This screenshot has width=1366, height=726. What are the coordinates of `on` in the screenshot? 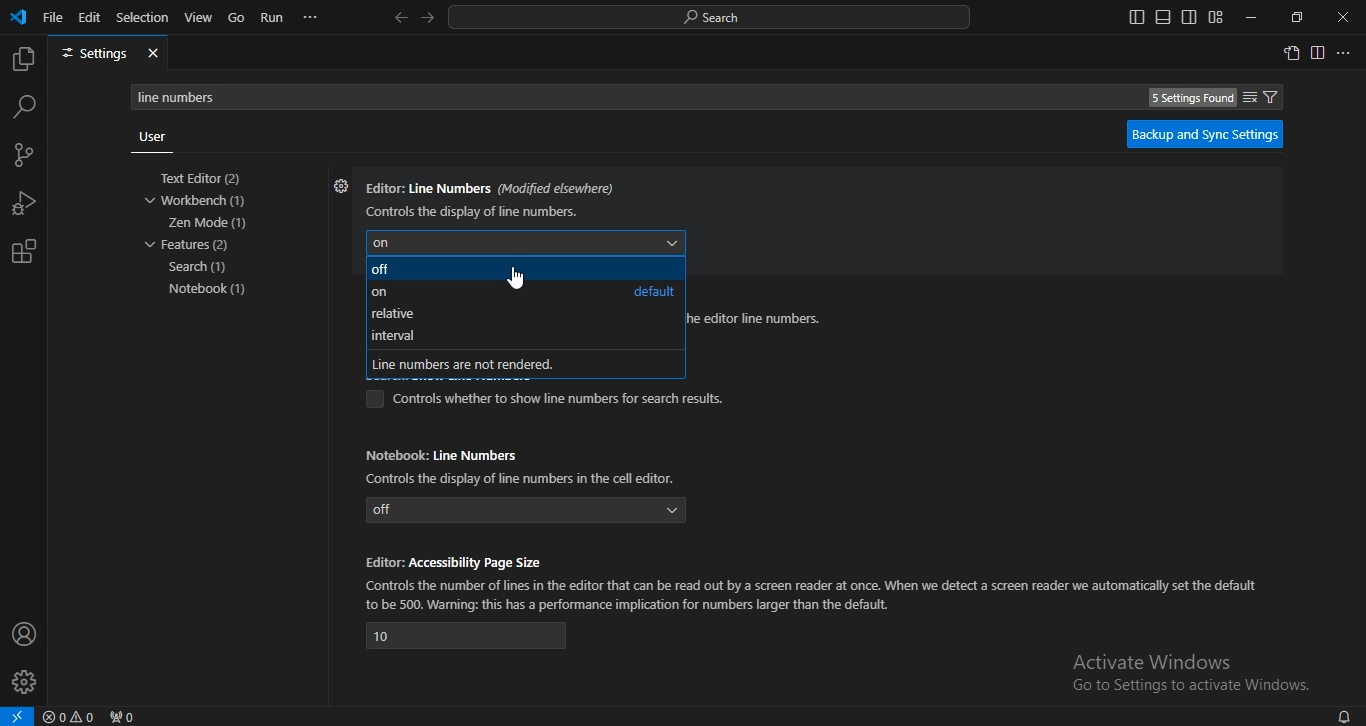 It's located at (522, 241).